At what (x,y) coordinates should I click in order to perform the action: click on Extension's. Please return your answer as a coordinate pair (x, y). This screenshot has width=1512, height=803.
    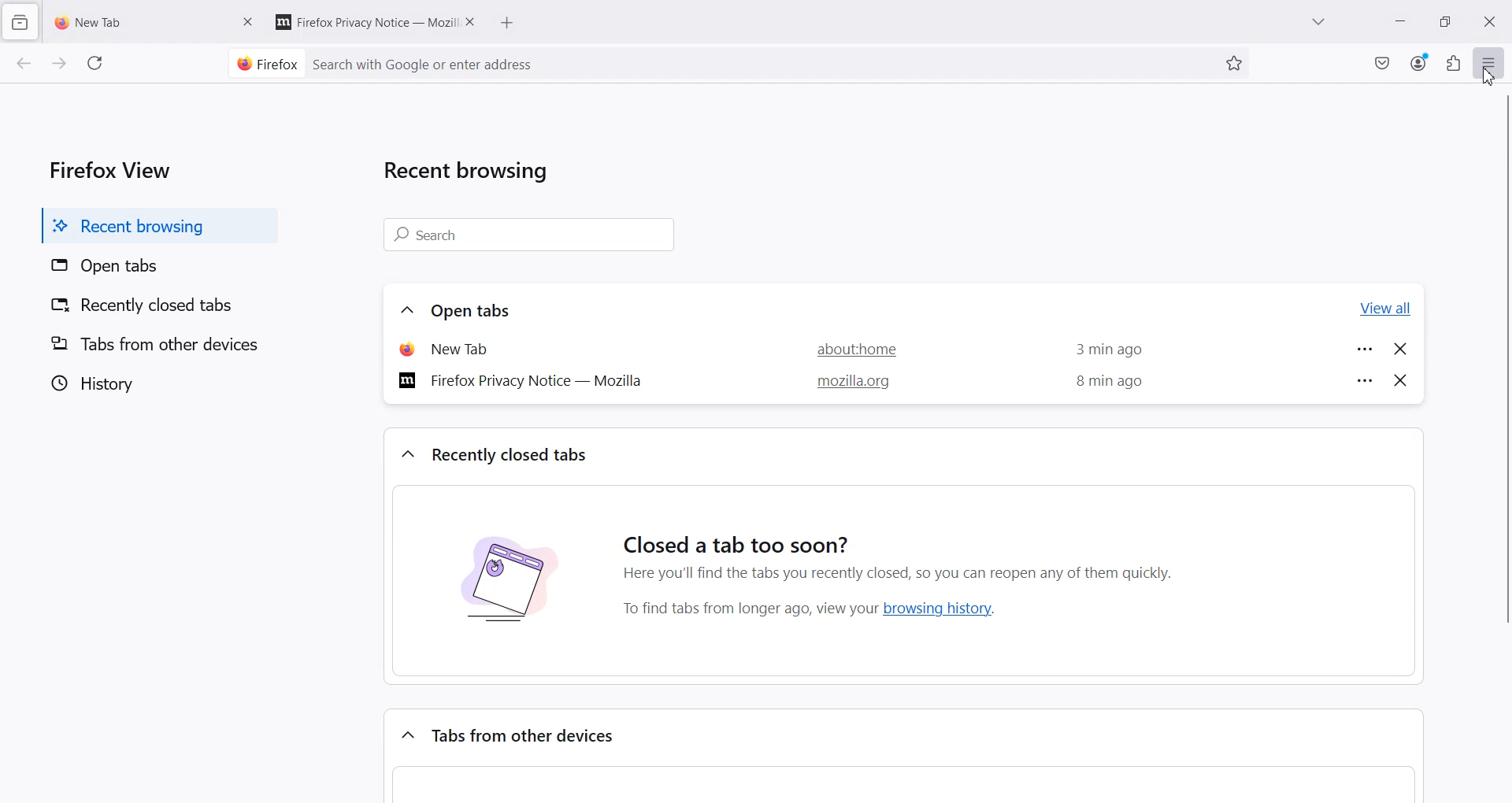
    Looking at the image, I should click on (1453, 62).